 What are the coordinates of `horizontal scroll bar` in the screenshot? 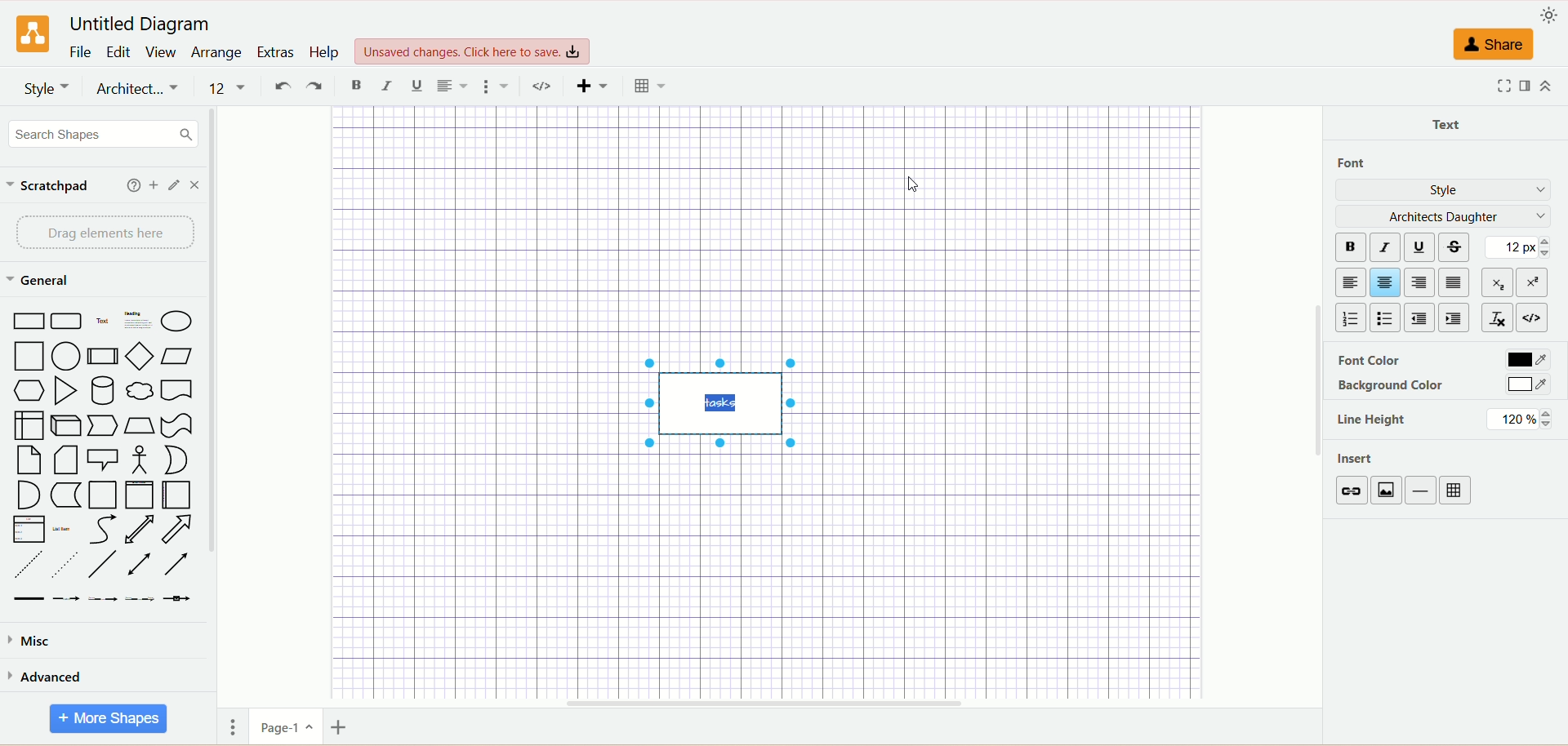 It's located at (767, 701).